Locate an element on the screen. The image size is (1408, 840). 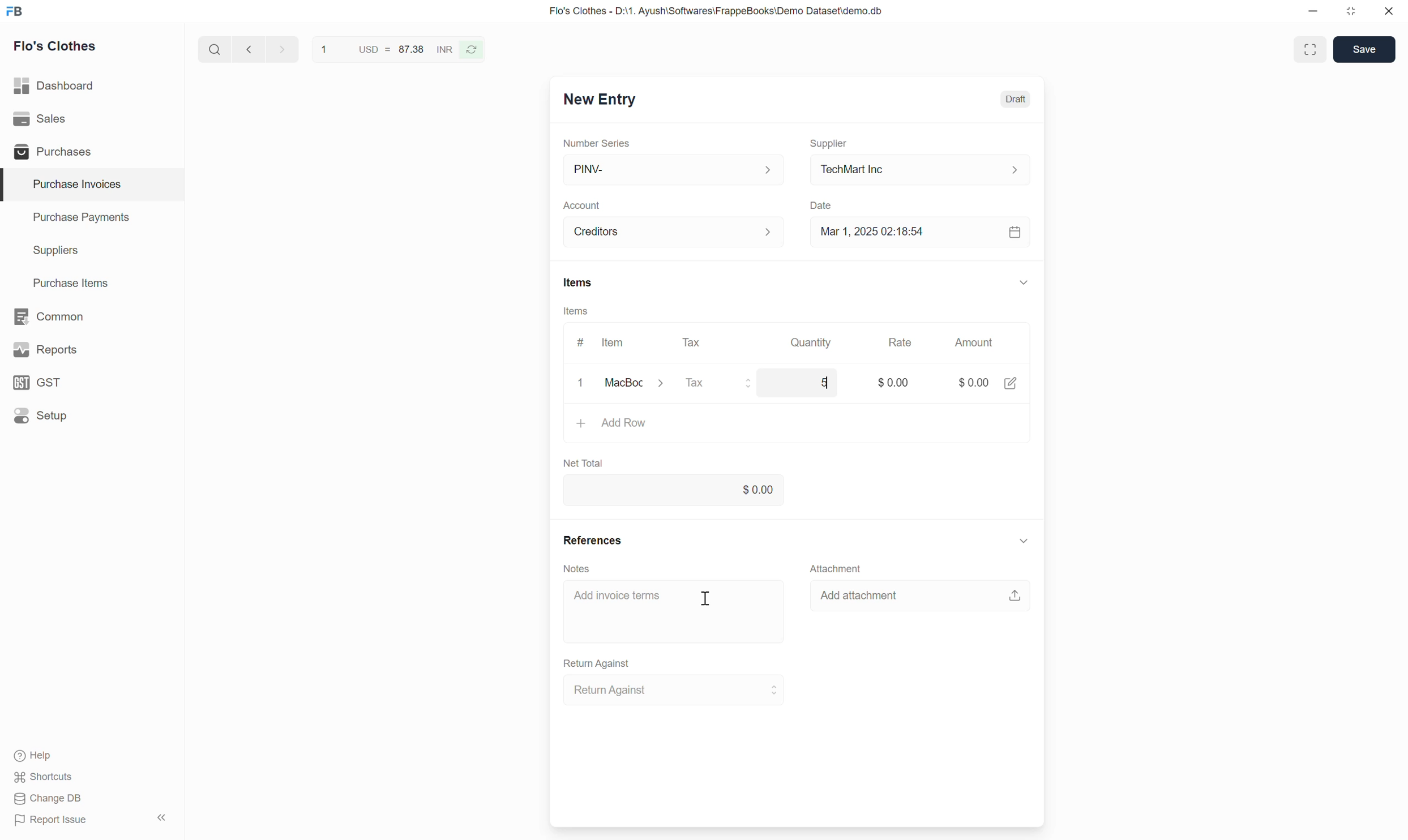
References is located at coordinates (593, 540).